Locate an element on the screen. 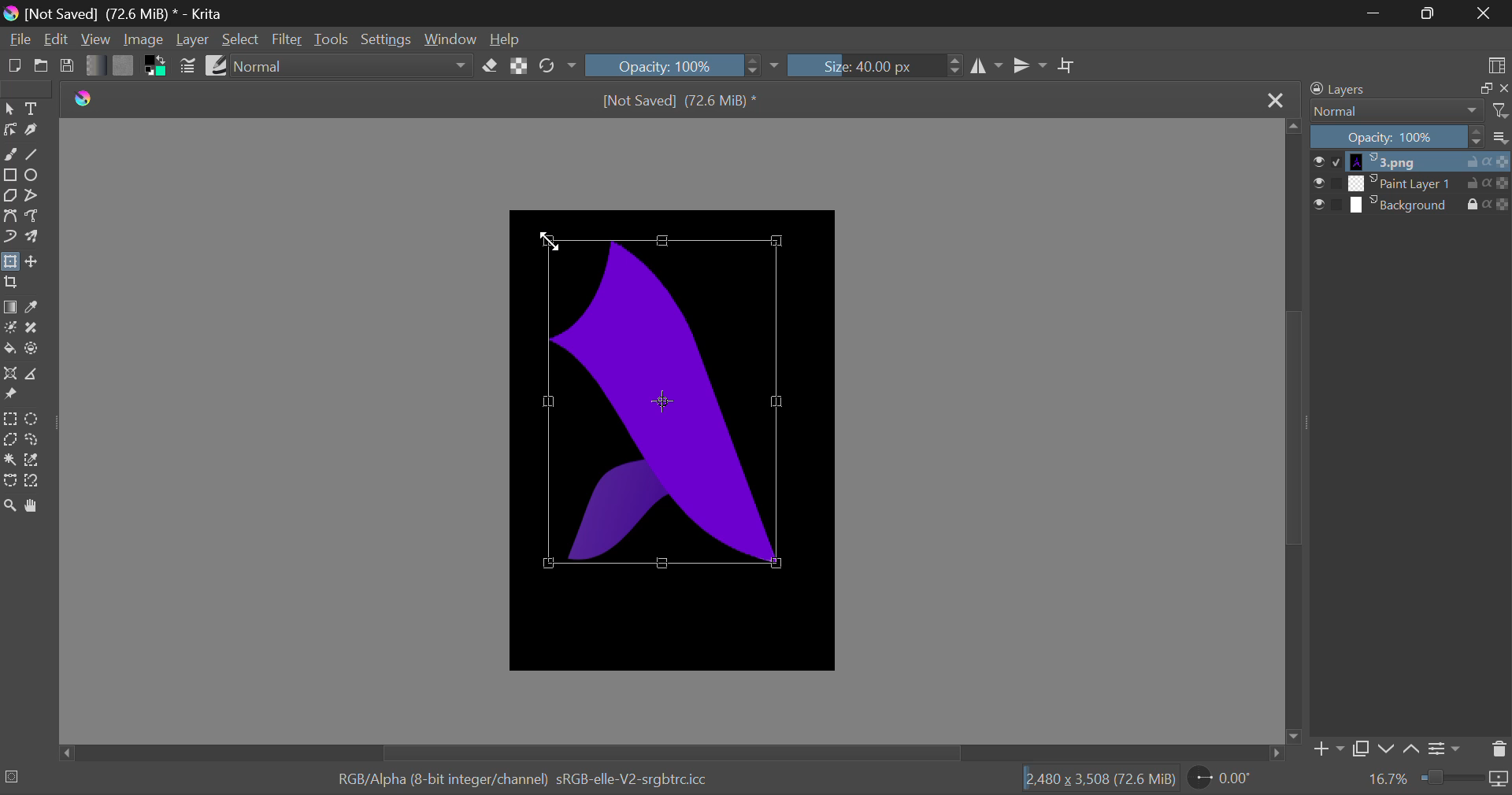 The height and width of the screenshot is (795, 1512). Edit Shape is located at coordinates (10, 130).